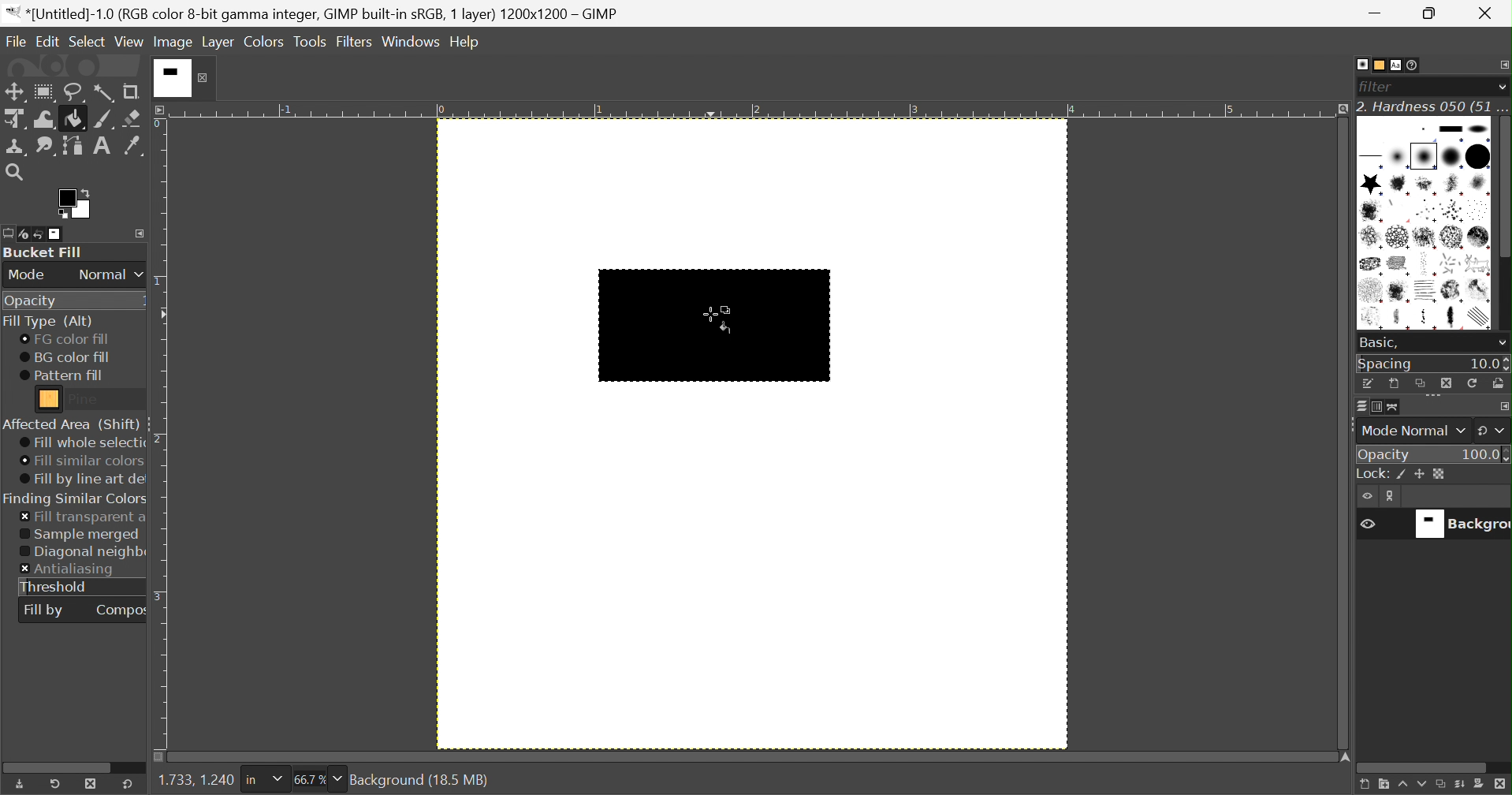  What do you see at coordinates (1372, 318) in the screenshot?
I see `Oils` at bounding box center [1372, 318].